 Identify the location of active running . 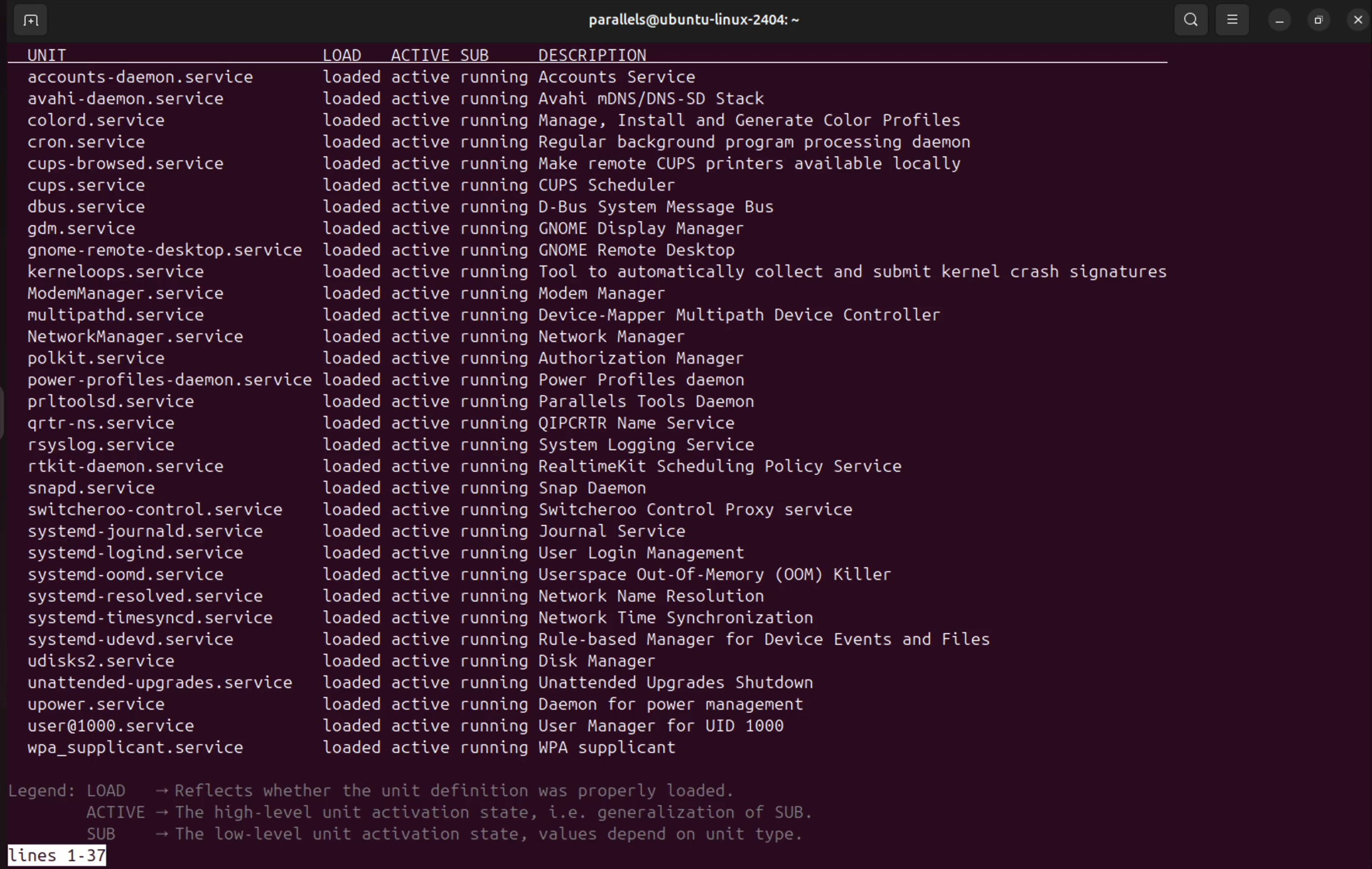
(577, 445).